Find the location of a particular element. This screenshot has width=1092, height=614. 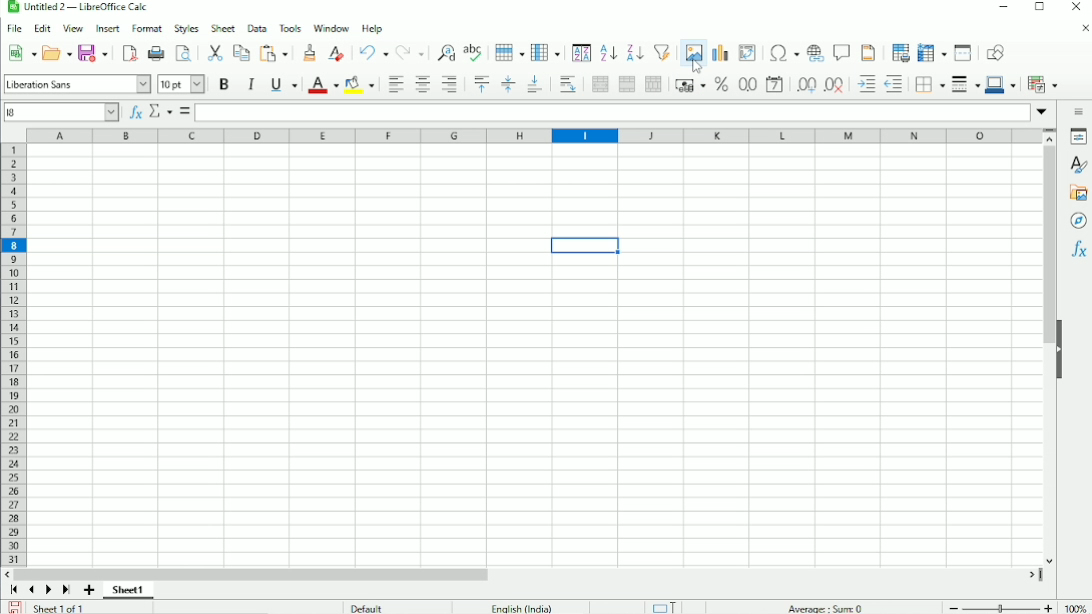

Minimize is located at coordinates (1001, 8).